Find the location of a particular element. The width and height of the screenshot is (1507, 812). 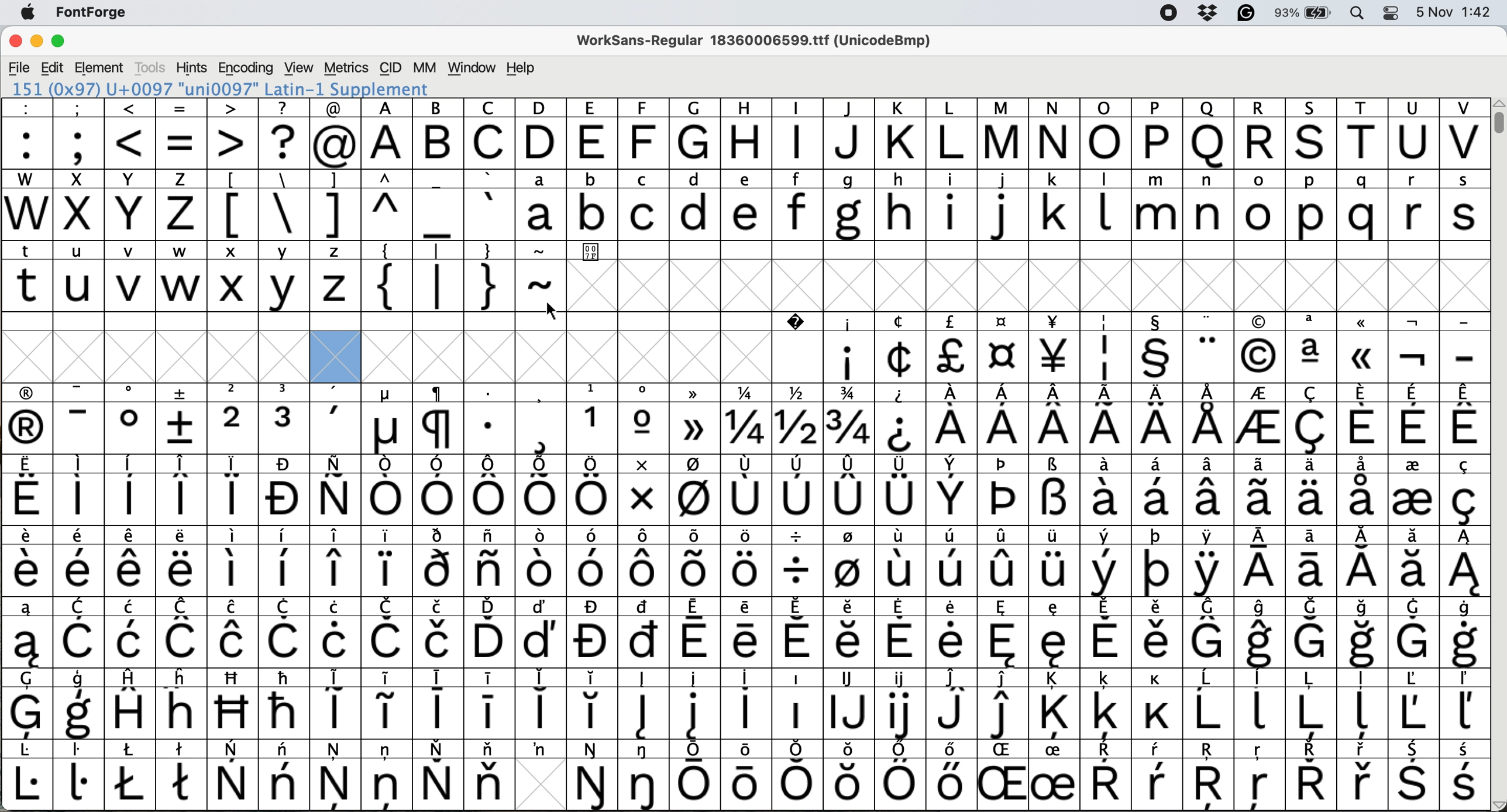

symbol is located at coordinates (285, 775).